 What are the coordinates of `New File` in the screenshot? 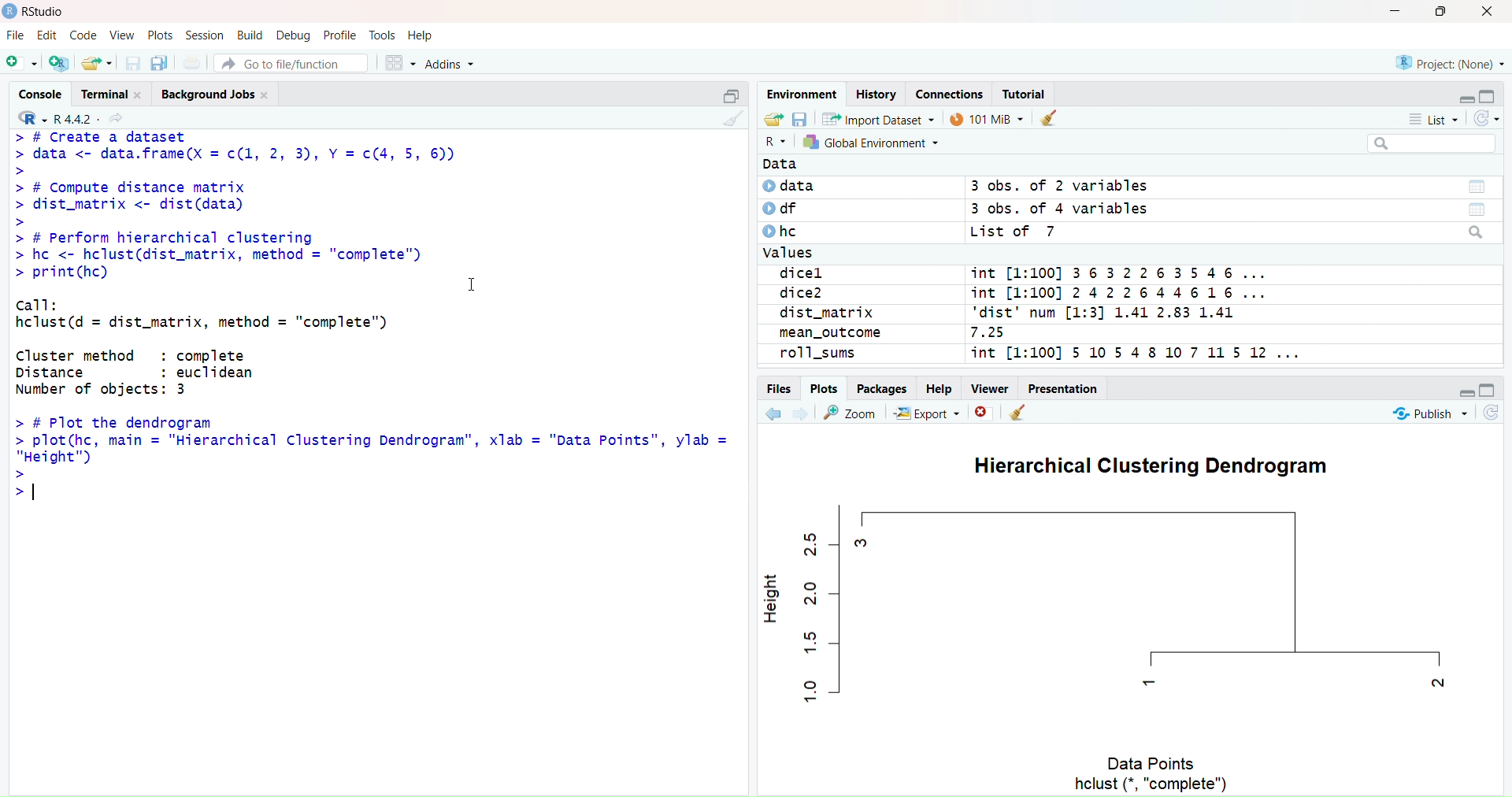 It's located at (21, 61).